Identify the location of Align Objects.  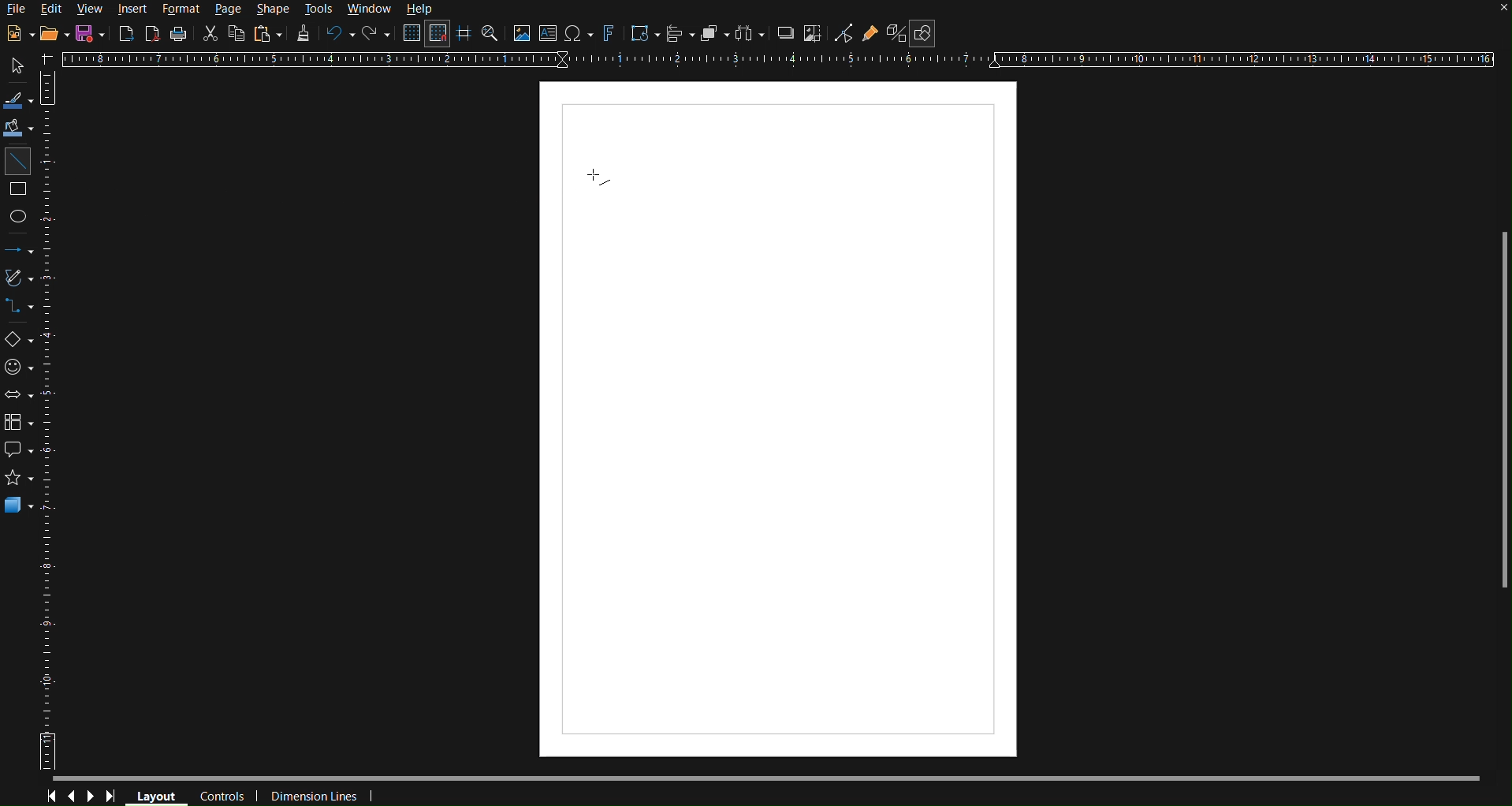
(680, 33).